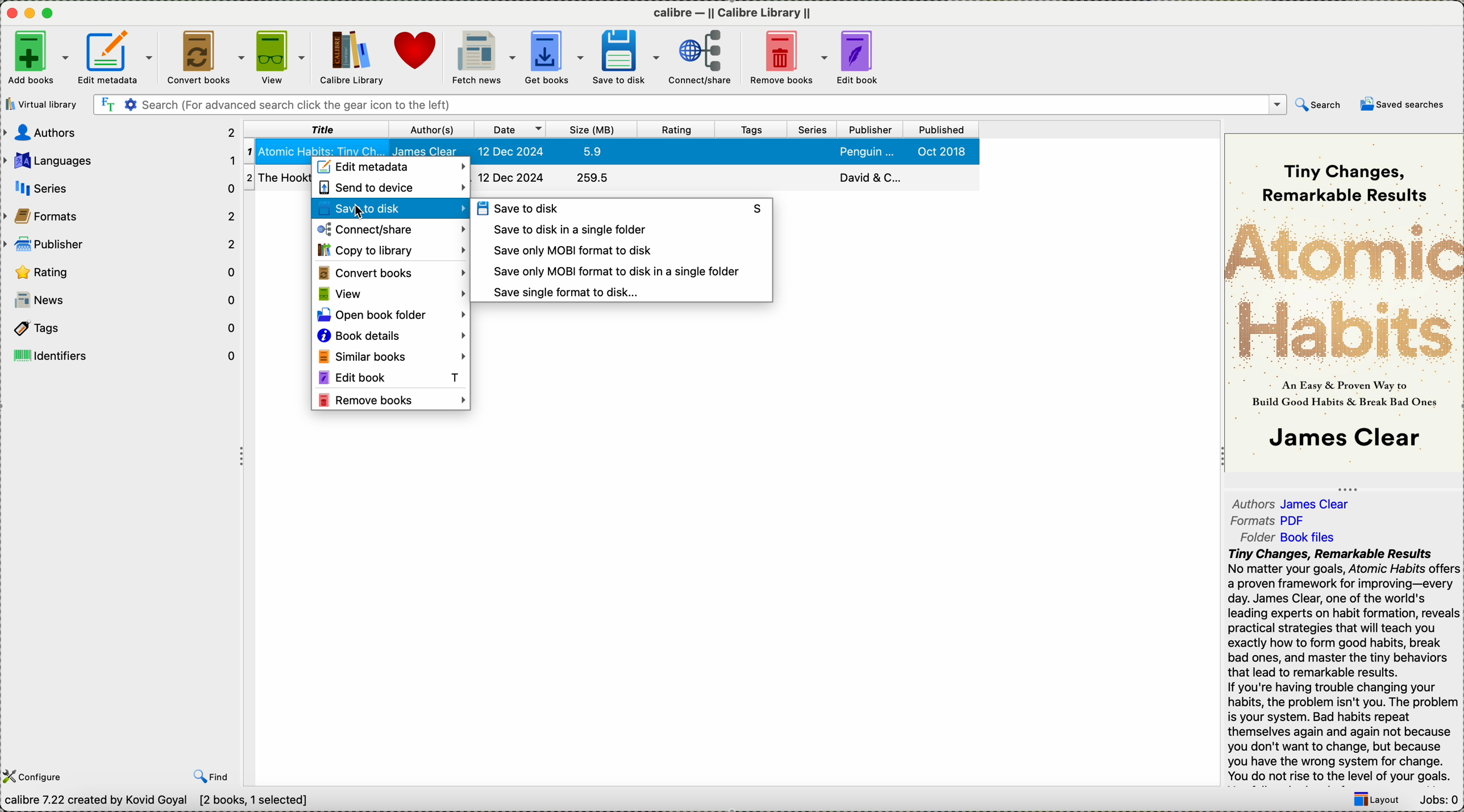 The width and height of the screenshot is (1464, 812). What do you see at coordinates (317, 129) in the screenshot?
I see `title` at bounding box center [317, 129].